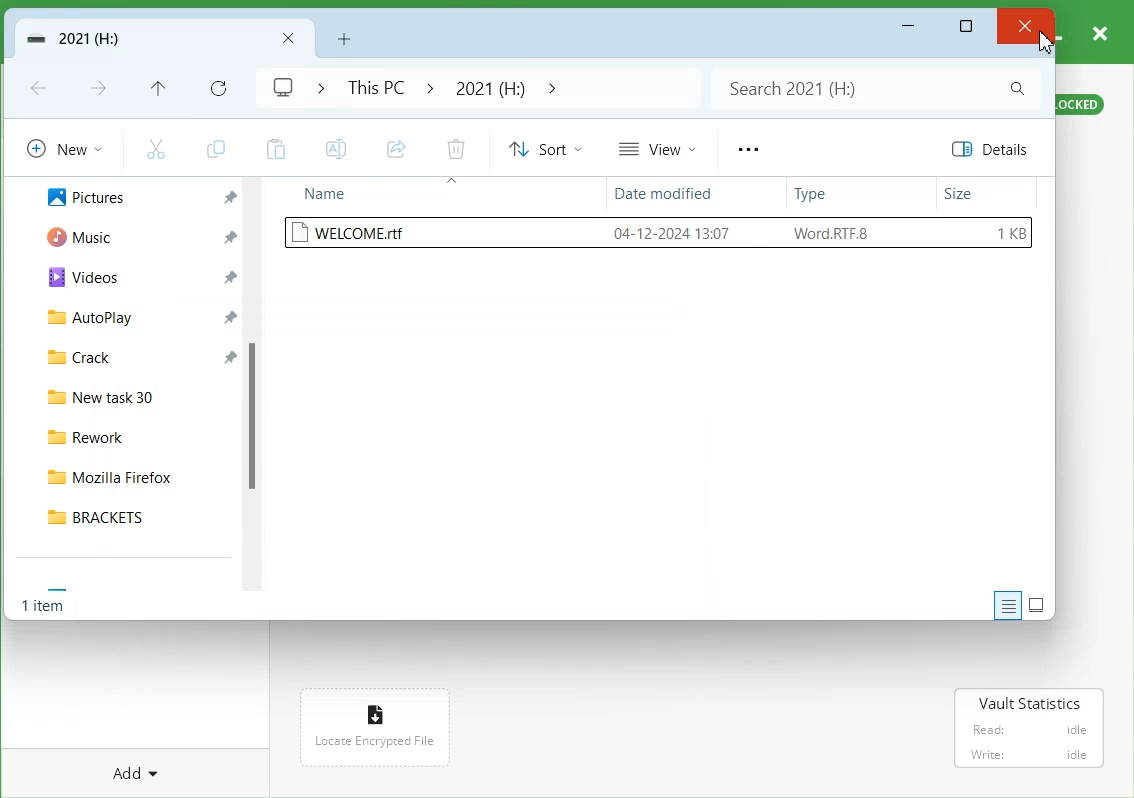  Describe the element at coordinates (374, 712) in the screenshot. I see `Icon` at that location.